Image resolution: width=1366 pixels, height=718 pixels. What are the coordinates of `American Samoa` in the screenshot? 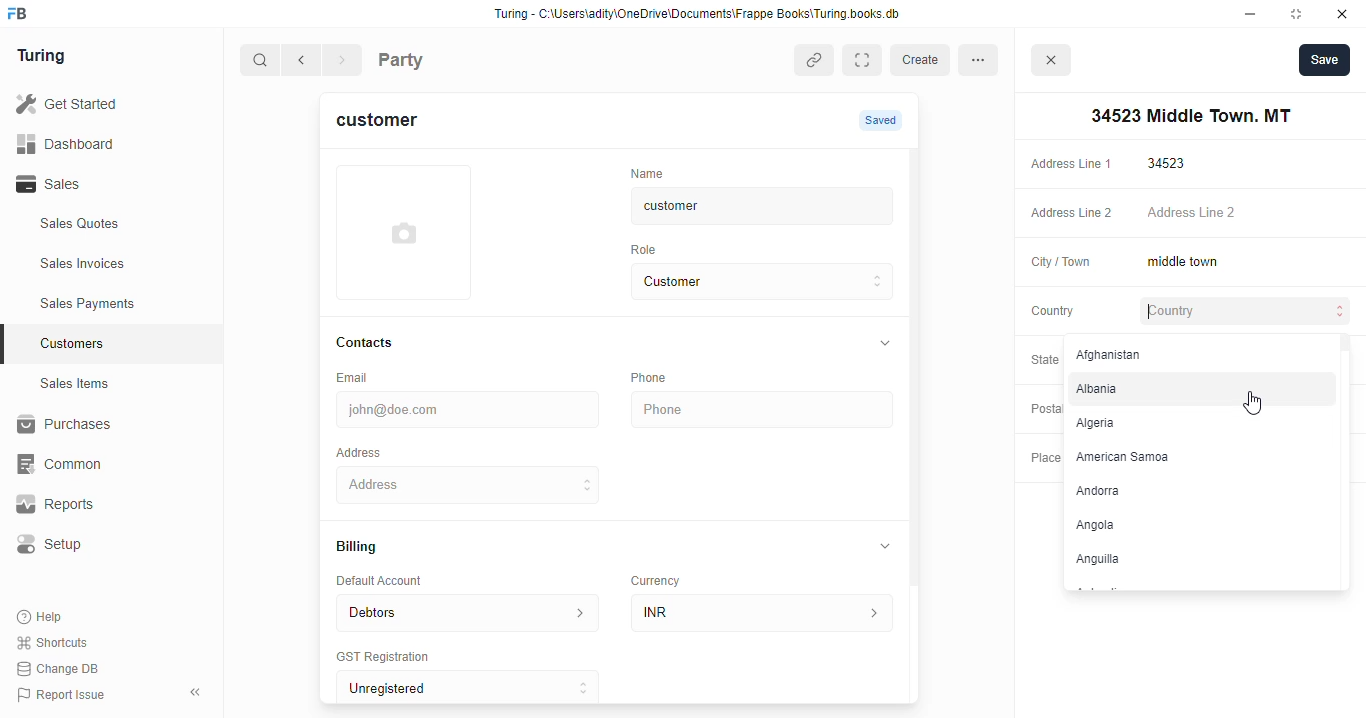 It's located at (1195, 459).